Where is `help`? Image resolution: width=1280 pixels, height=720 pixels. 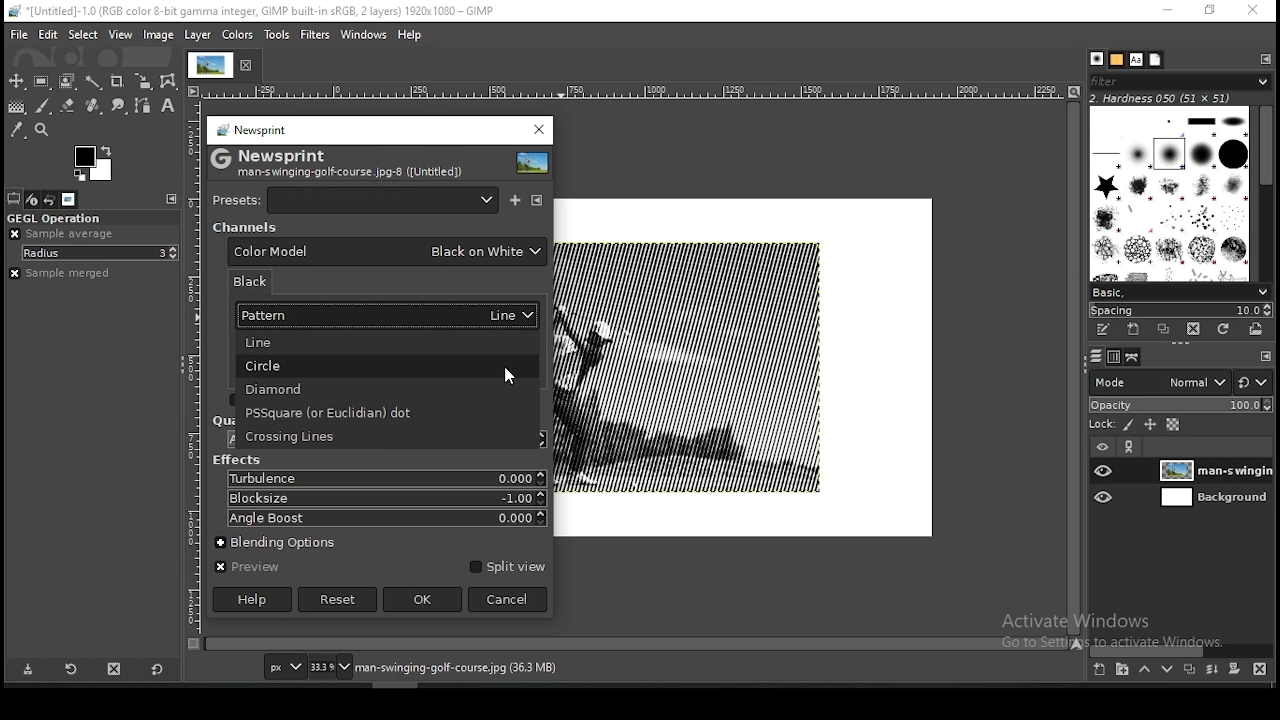
help is located at coordinates (253, 599).